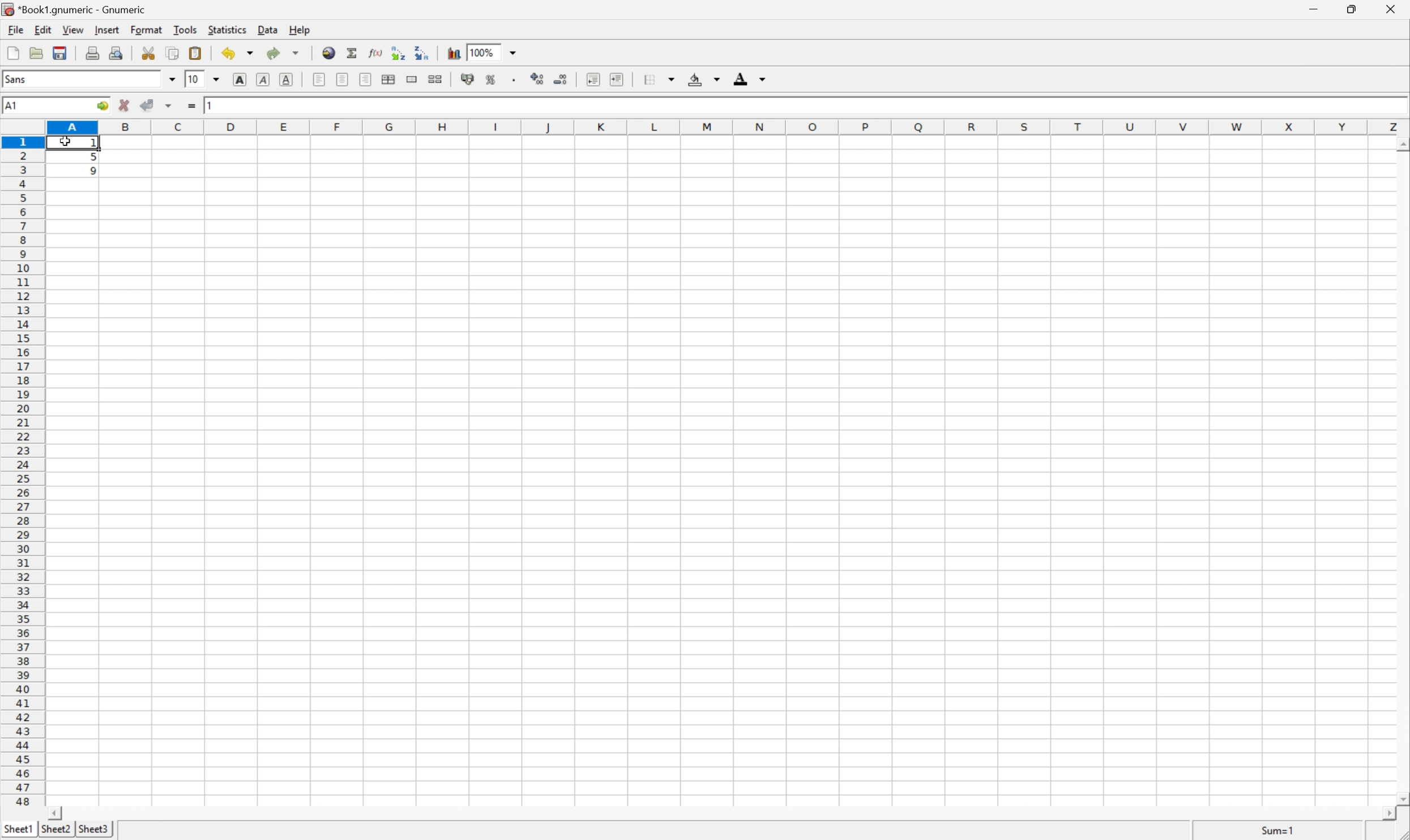  What do you see at coordinates (320, 79) in the screenshot?
I see `align left` at bounding box center [320, 79].